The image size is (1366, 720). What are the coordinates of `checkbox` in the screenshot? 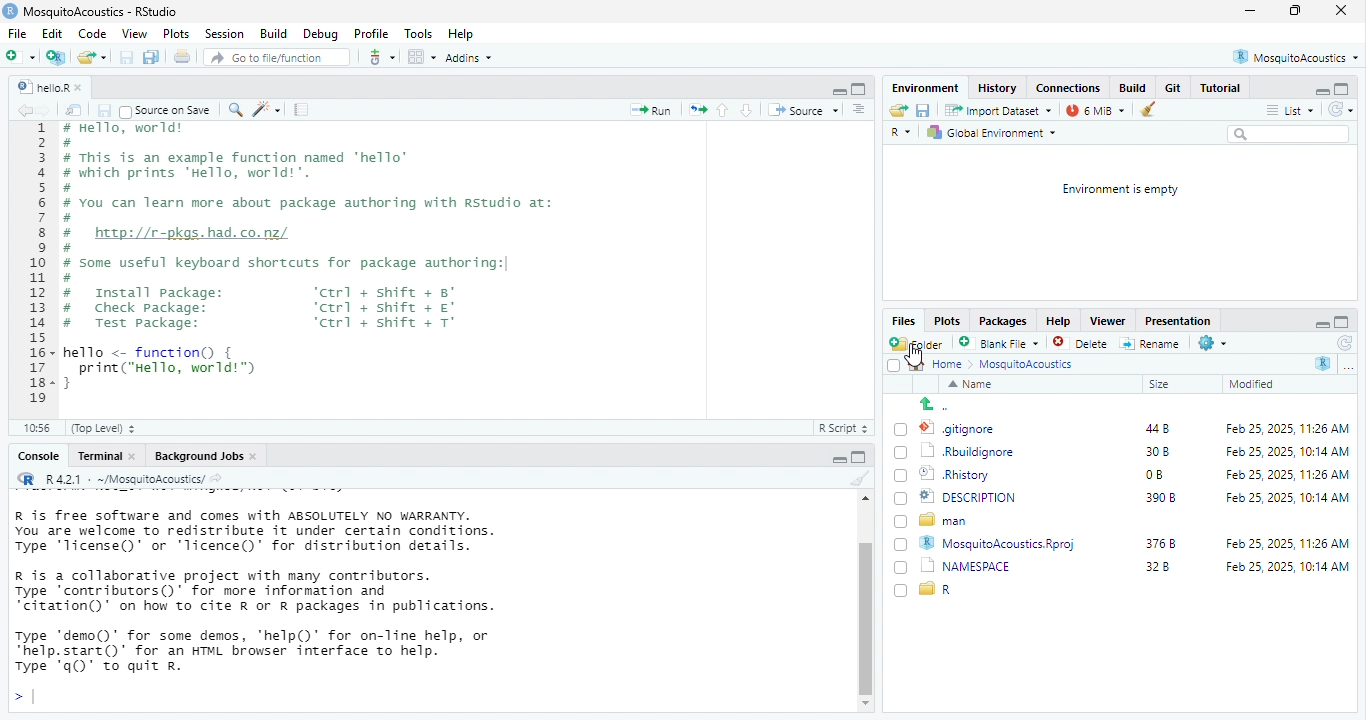 It's located at (901, 453).